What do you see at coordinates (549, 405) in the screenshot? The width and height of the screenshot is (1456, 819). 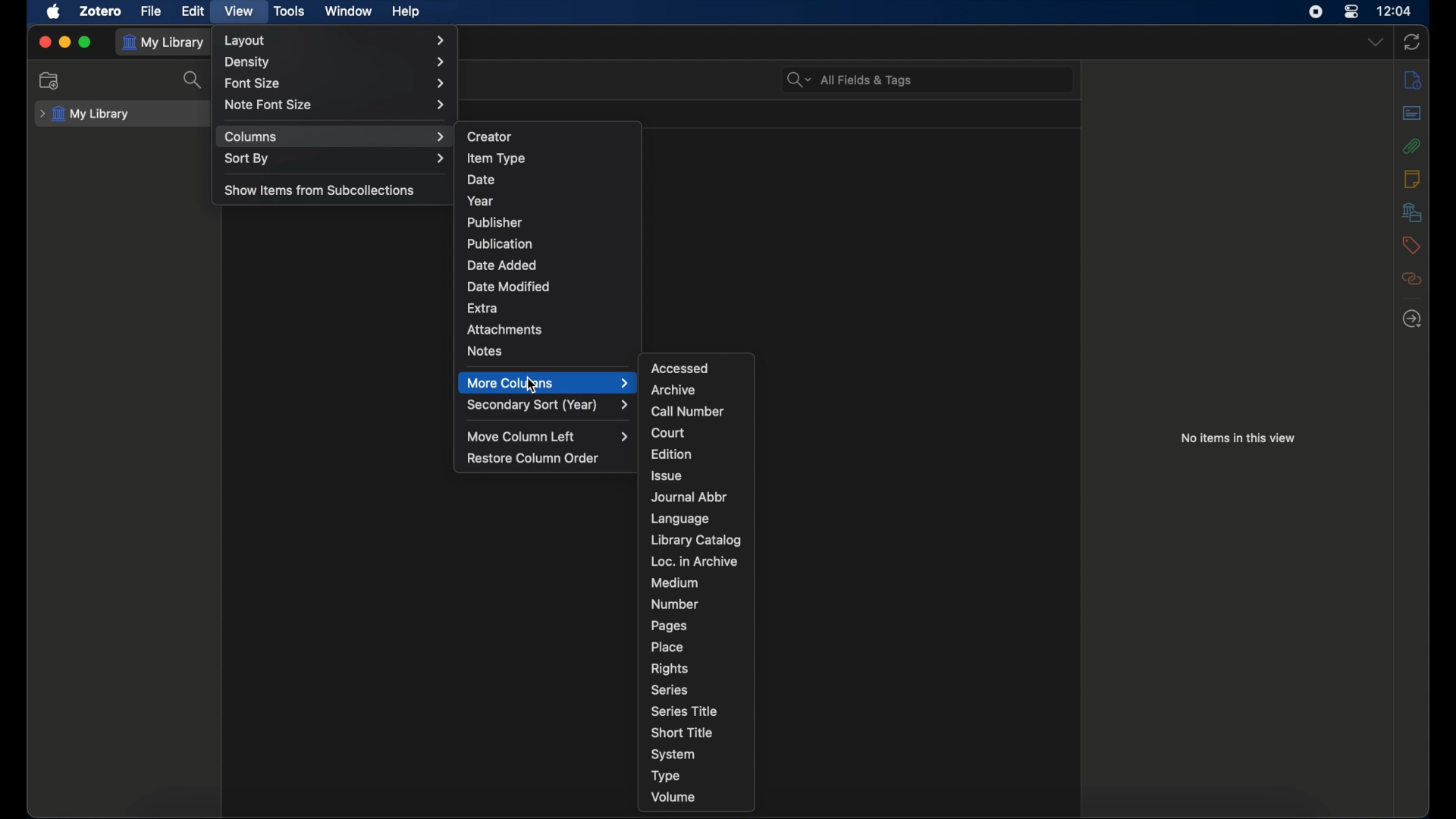 I see `secondary sort` at bounding box center [549, 405].